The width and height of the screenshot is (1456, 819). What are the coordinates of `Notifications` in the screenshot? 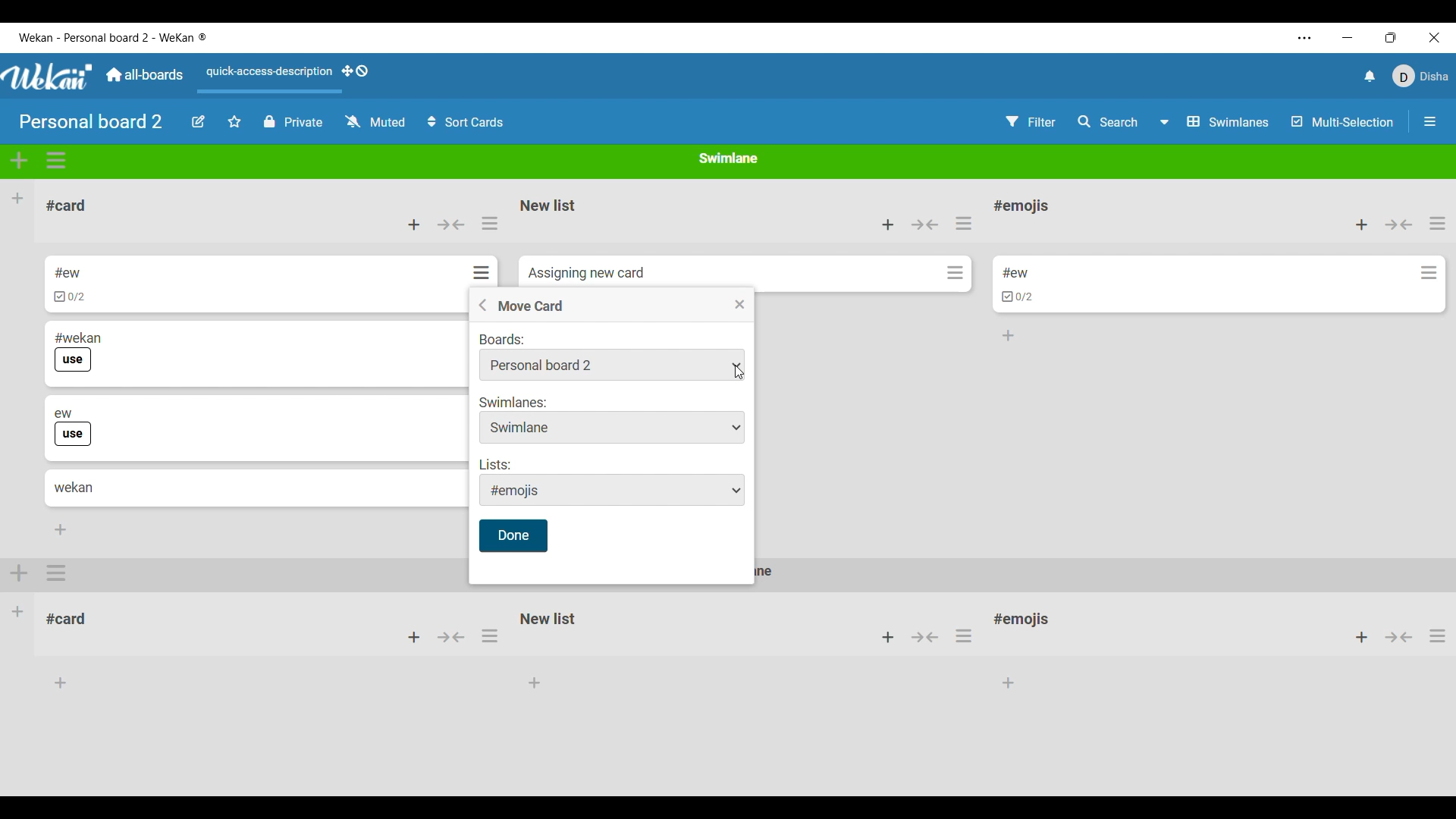 It's located at (1370, 76).